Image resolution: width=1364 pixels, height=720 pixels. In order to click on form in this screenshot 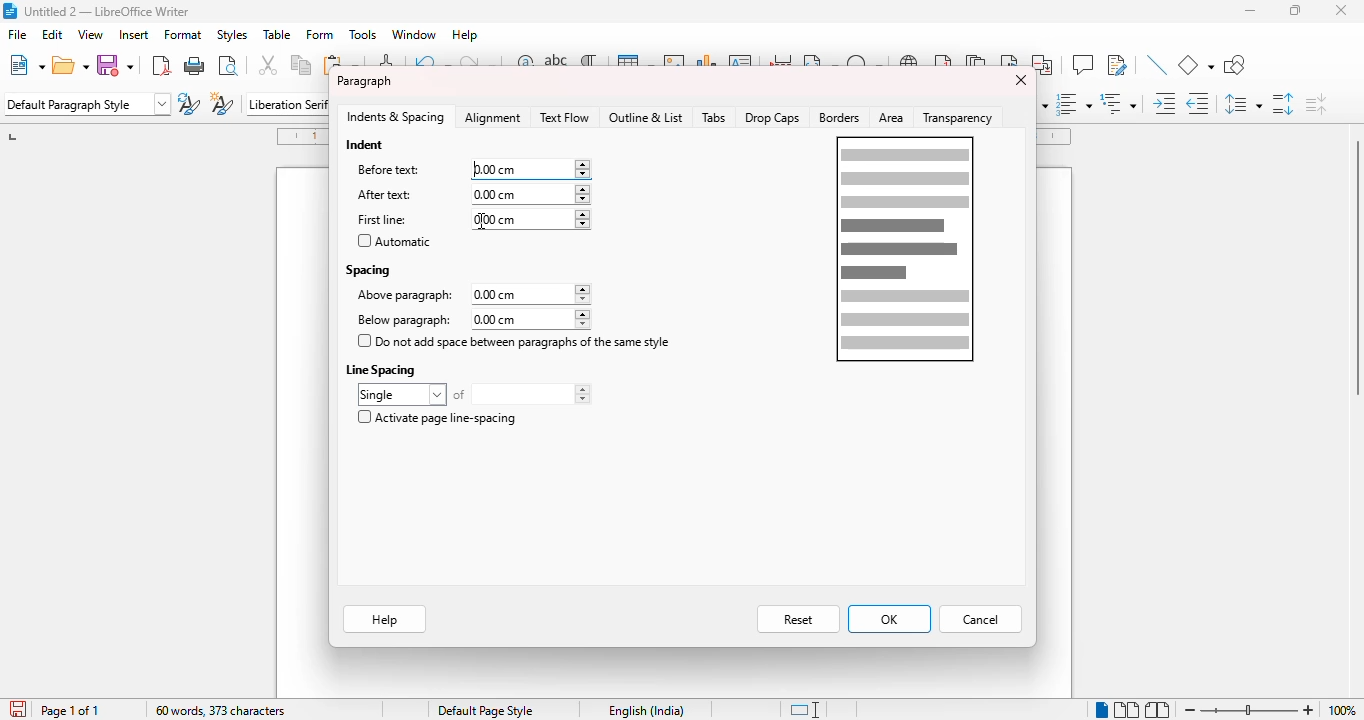, I will do `click(320, 35)`.